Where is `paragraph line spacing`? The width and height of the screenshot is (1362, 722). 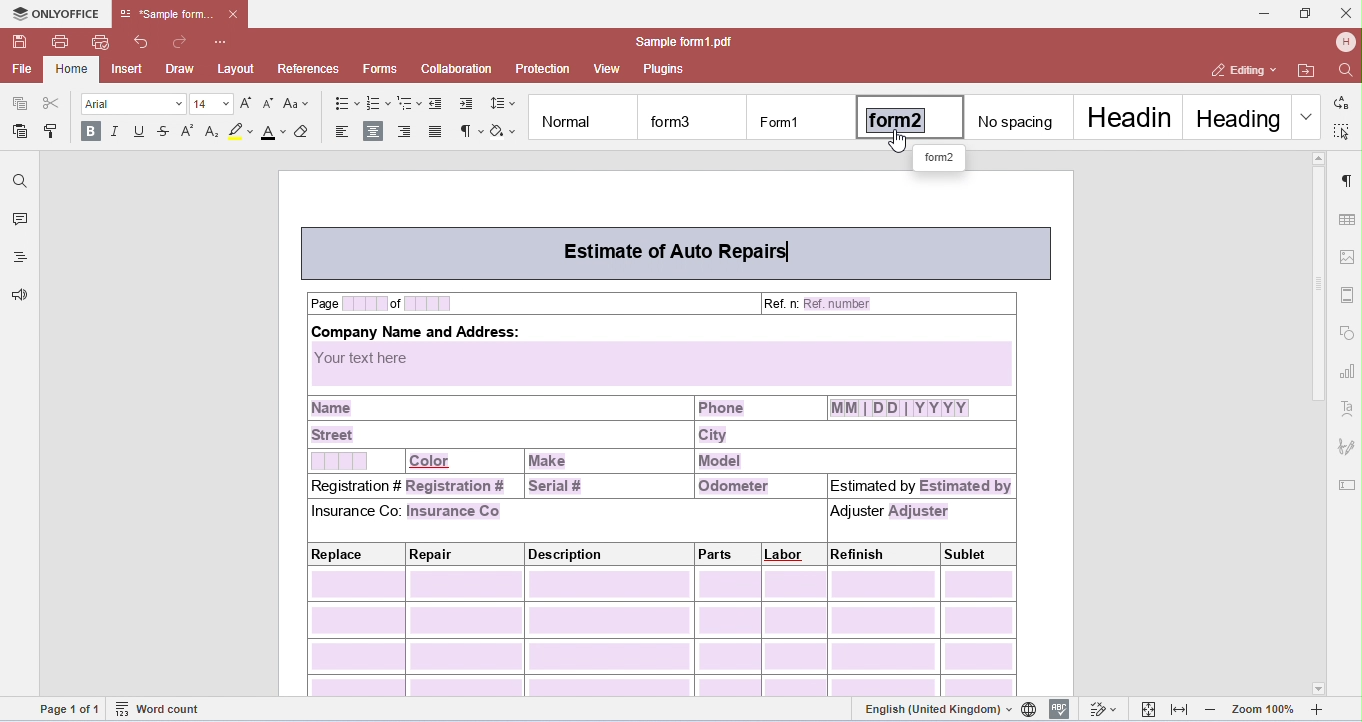
paragraph line spacing is located at coordinates (501, 104).